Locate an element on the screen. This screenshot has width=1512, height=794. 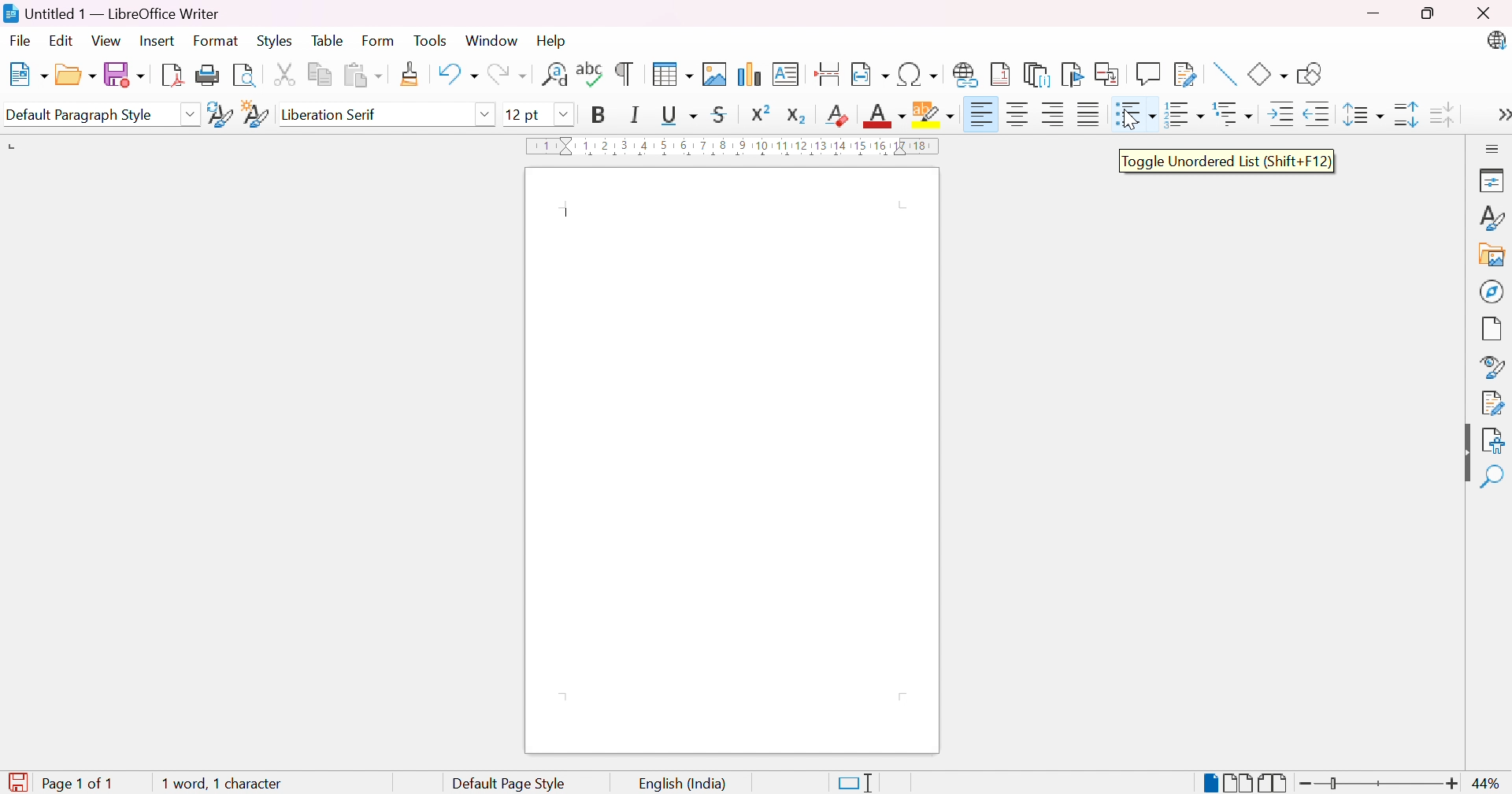
Select outline format is located at coordinates (1236, 114).